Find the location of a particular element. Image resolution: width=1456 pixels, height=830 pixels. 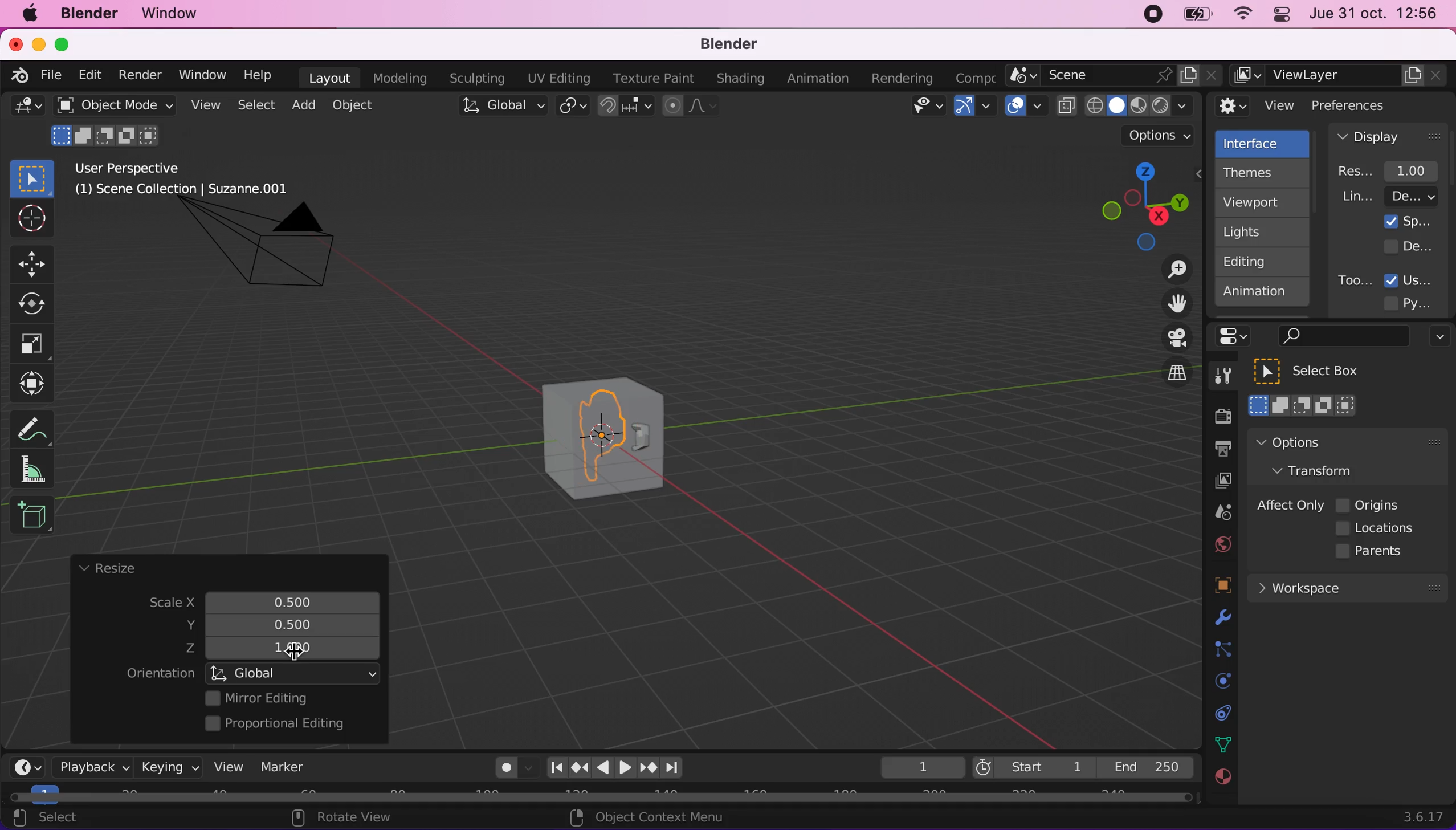

scale is located at coordinates (161, 604).